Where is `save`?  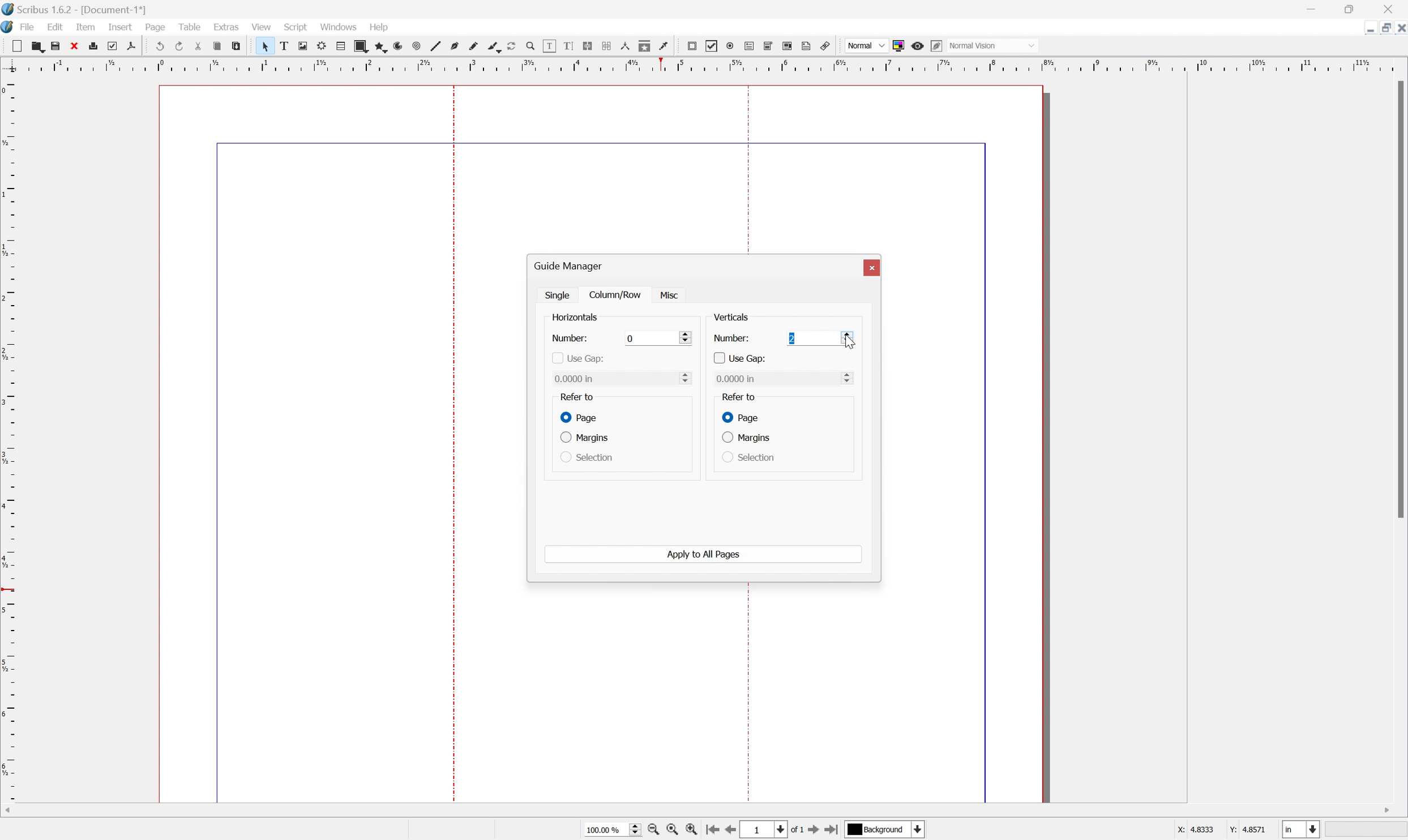
save is located at coordinates (58, 46).